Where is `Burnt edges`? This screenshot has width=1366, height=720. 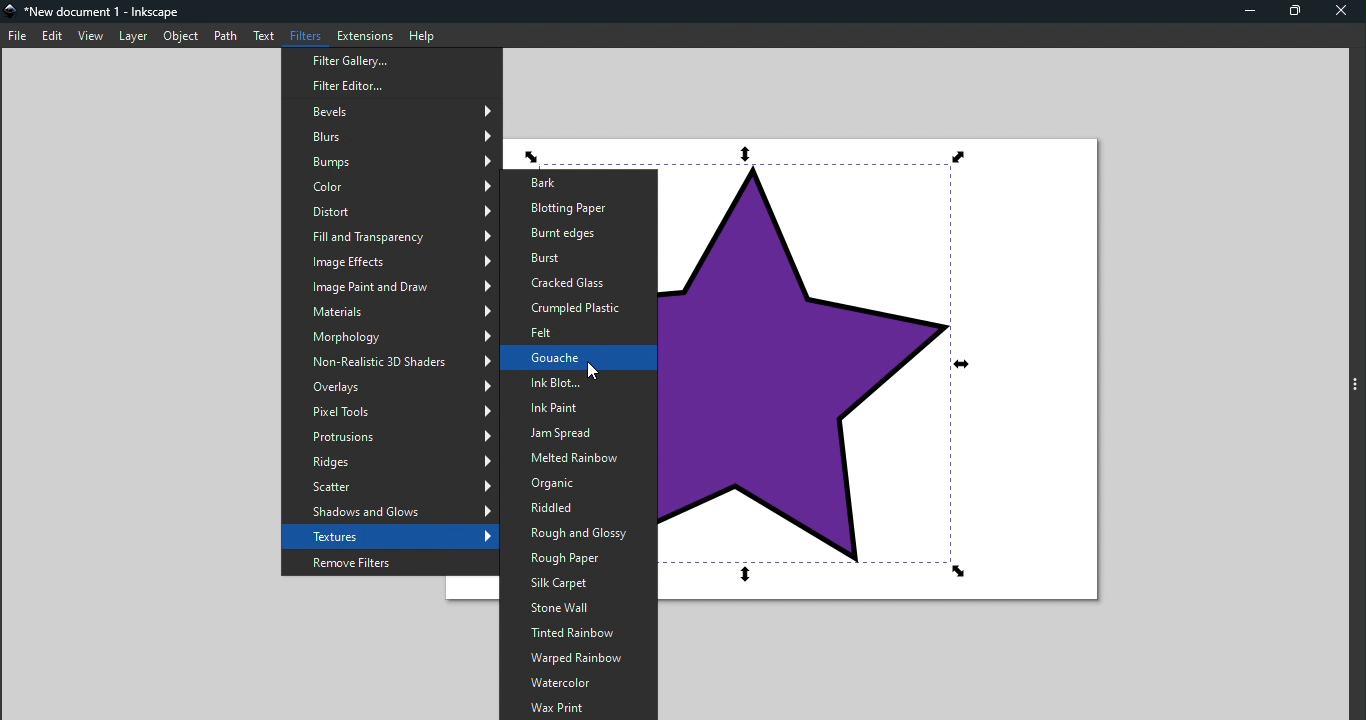
Burnt edges is located at coordinates (572, 235).